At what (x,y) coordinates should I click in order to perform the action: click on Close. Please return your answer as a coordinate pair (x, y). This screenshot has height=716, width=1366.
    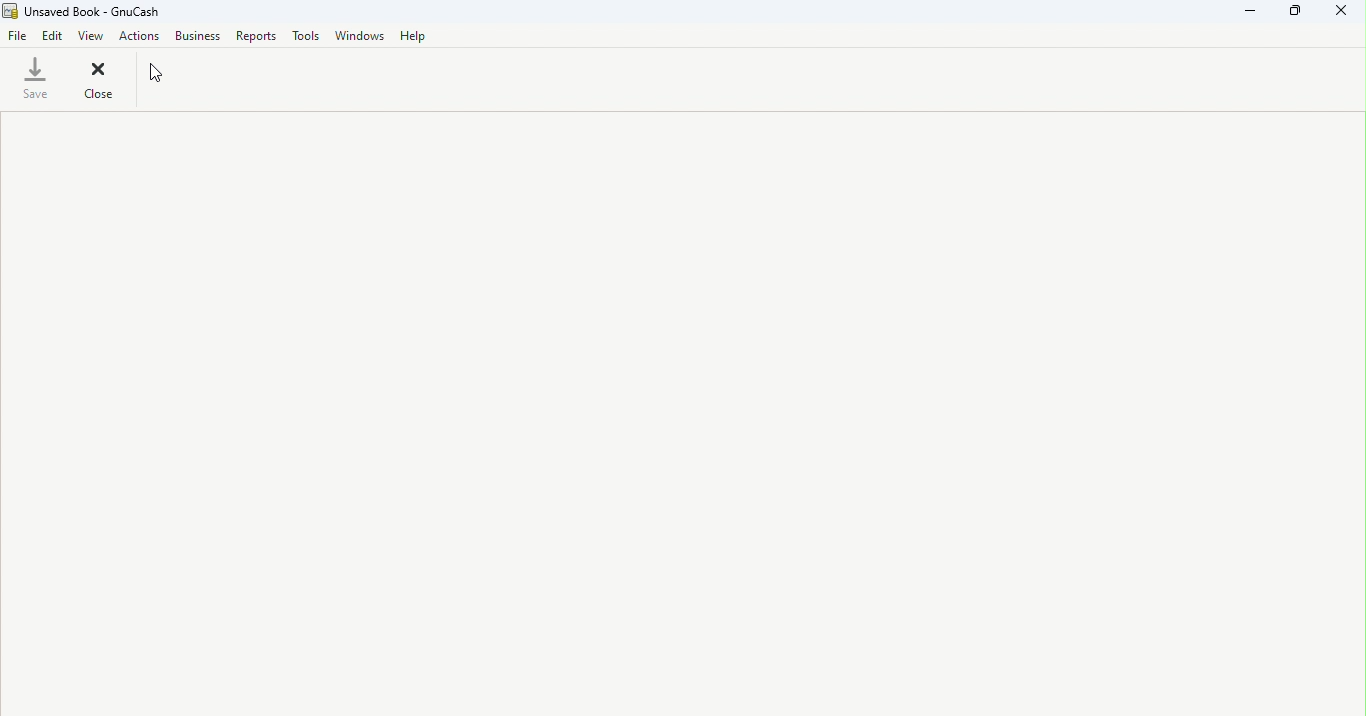
    Looking at the image, I should click on (98, 80).